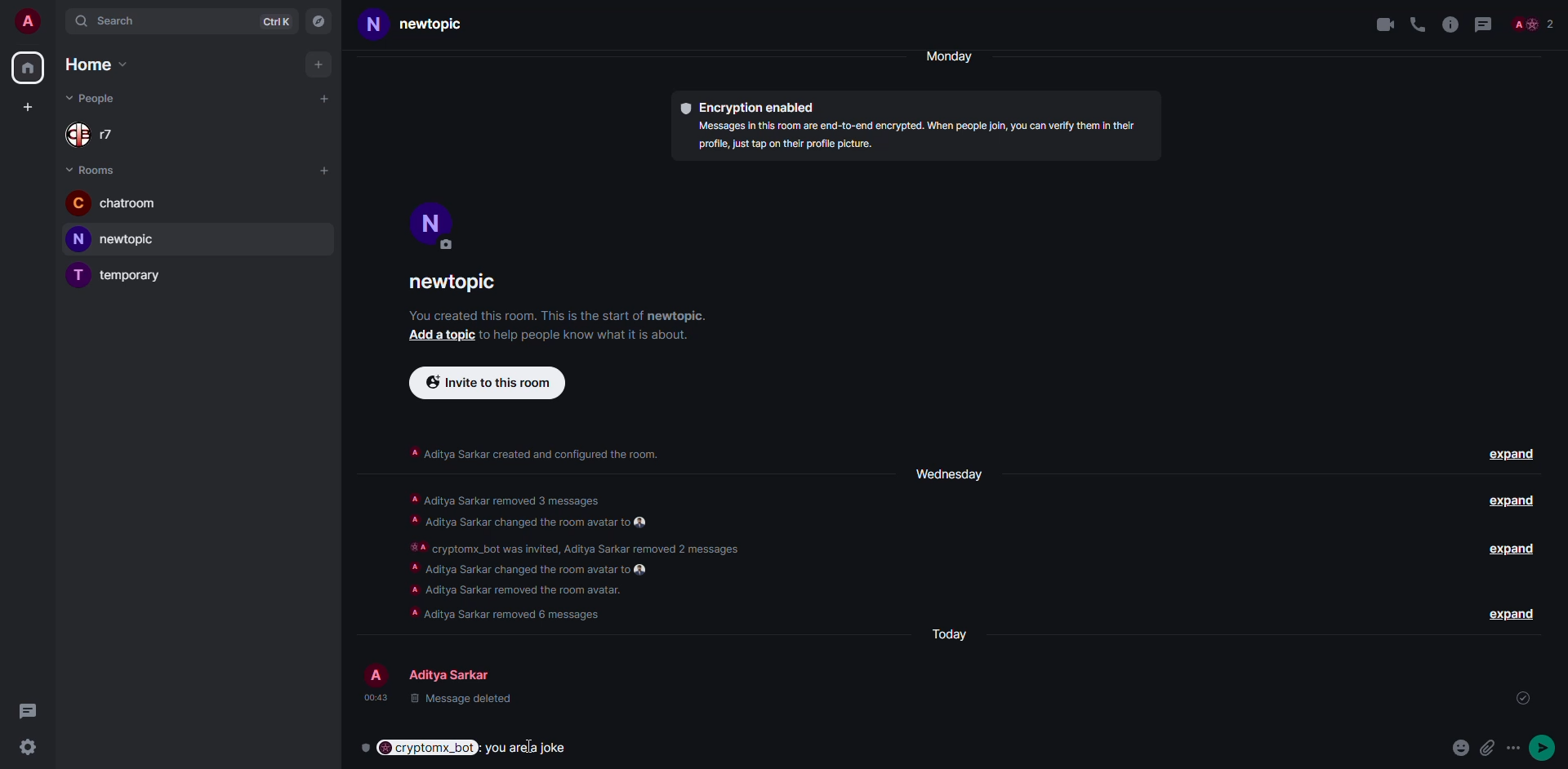  Describe the element at coordinates (93, 64) in the screenshot. I see `home` at that location.